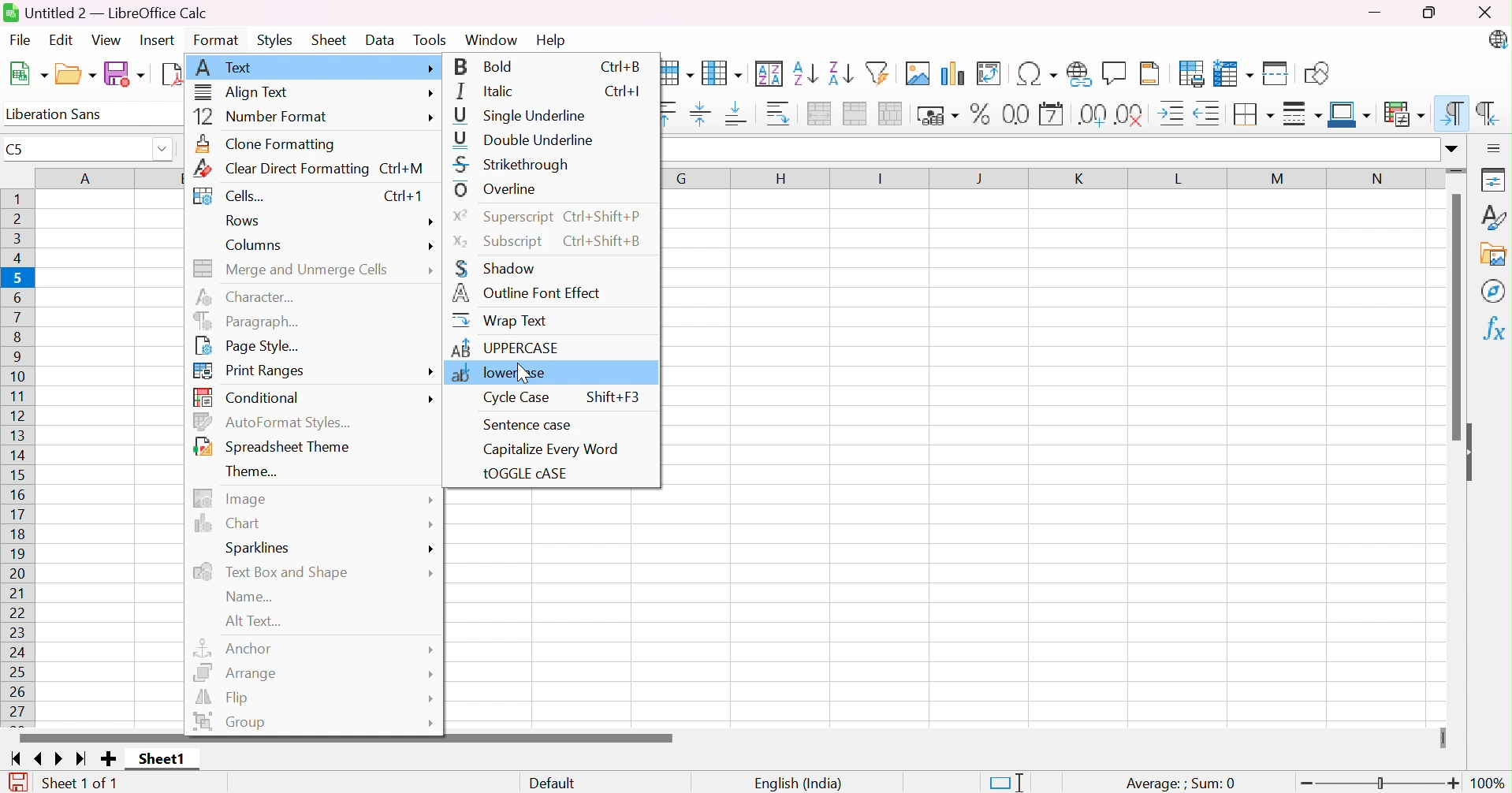 The height and width of the screenshot is (793, 1512). Describe the element at coordinates (1254, 116) in the screenshot. I see `Borders` at that location.